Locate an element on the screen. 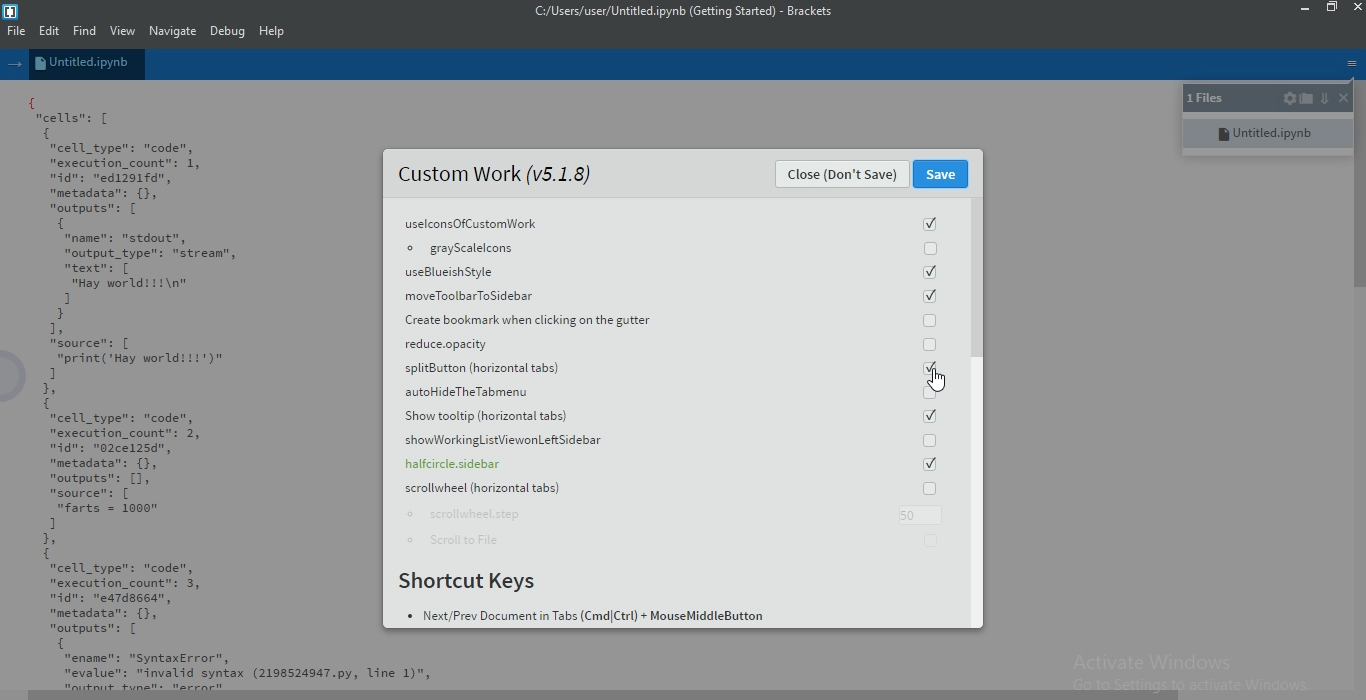 The width and height of the screenshot is (1366, 700). Scroll to File is located at coordinates (682, 542).